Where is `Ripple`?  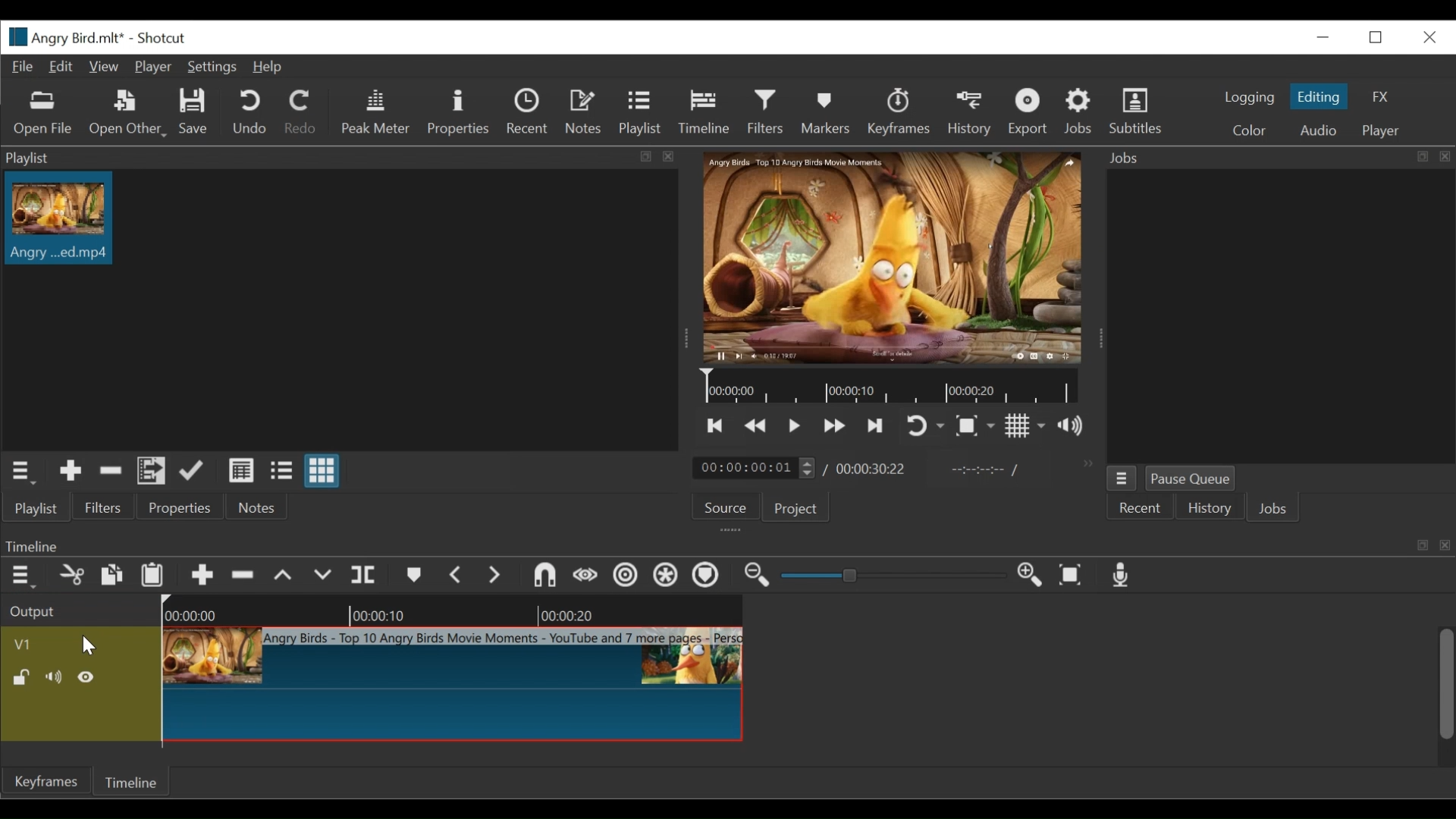 Ripple is located at coordinates (626, 576).